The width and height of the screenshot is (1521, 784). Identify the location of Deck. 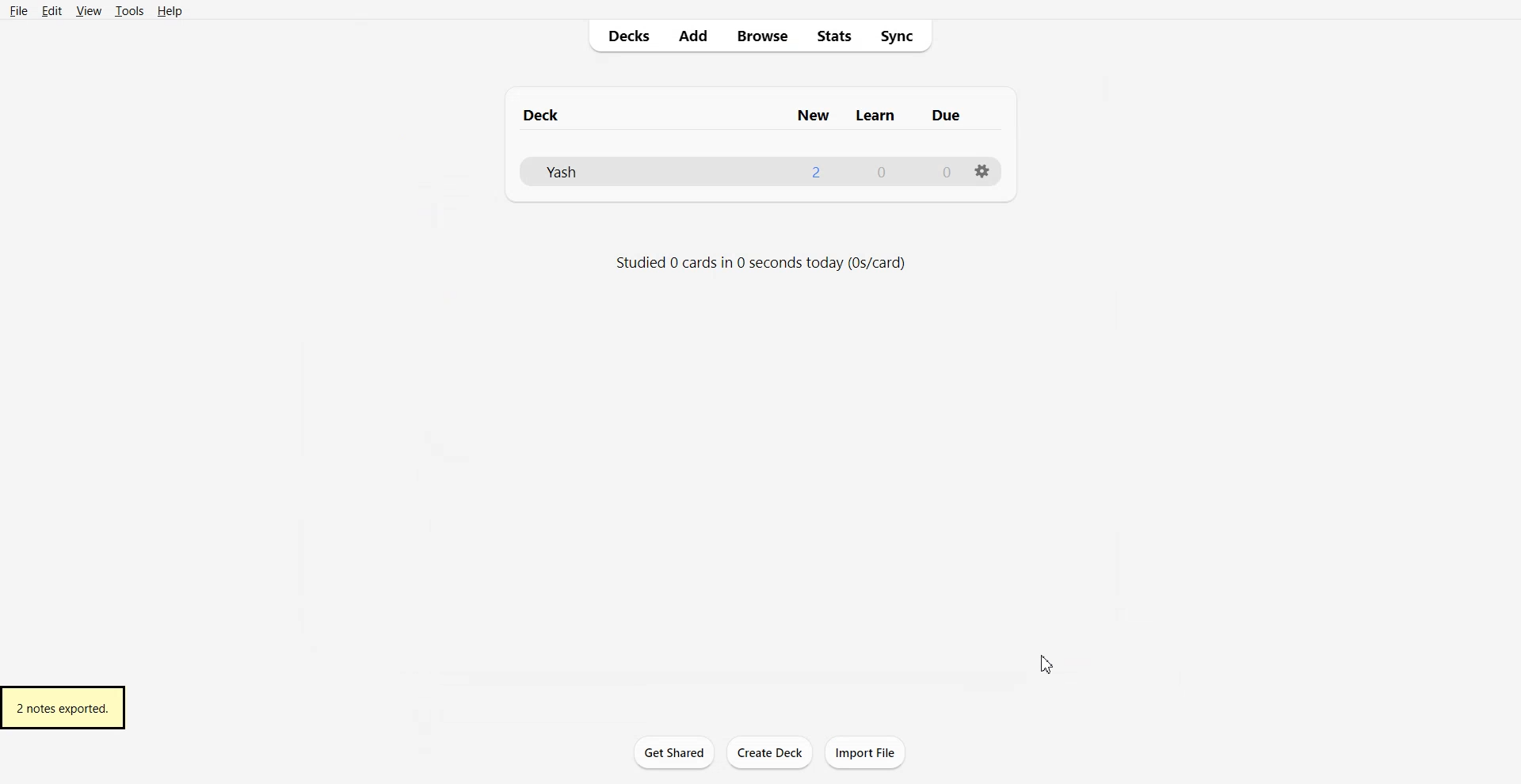
(547, 116).